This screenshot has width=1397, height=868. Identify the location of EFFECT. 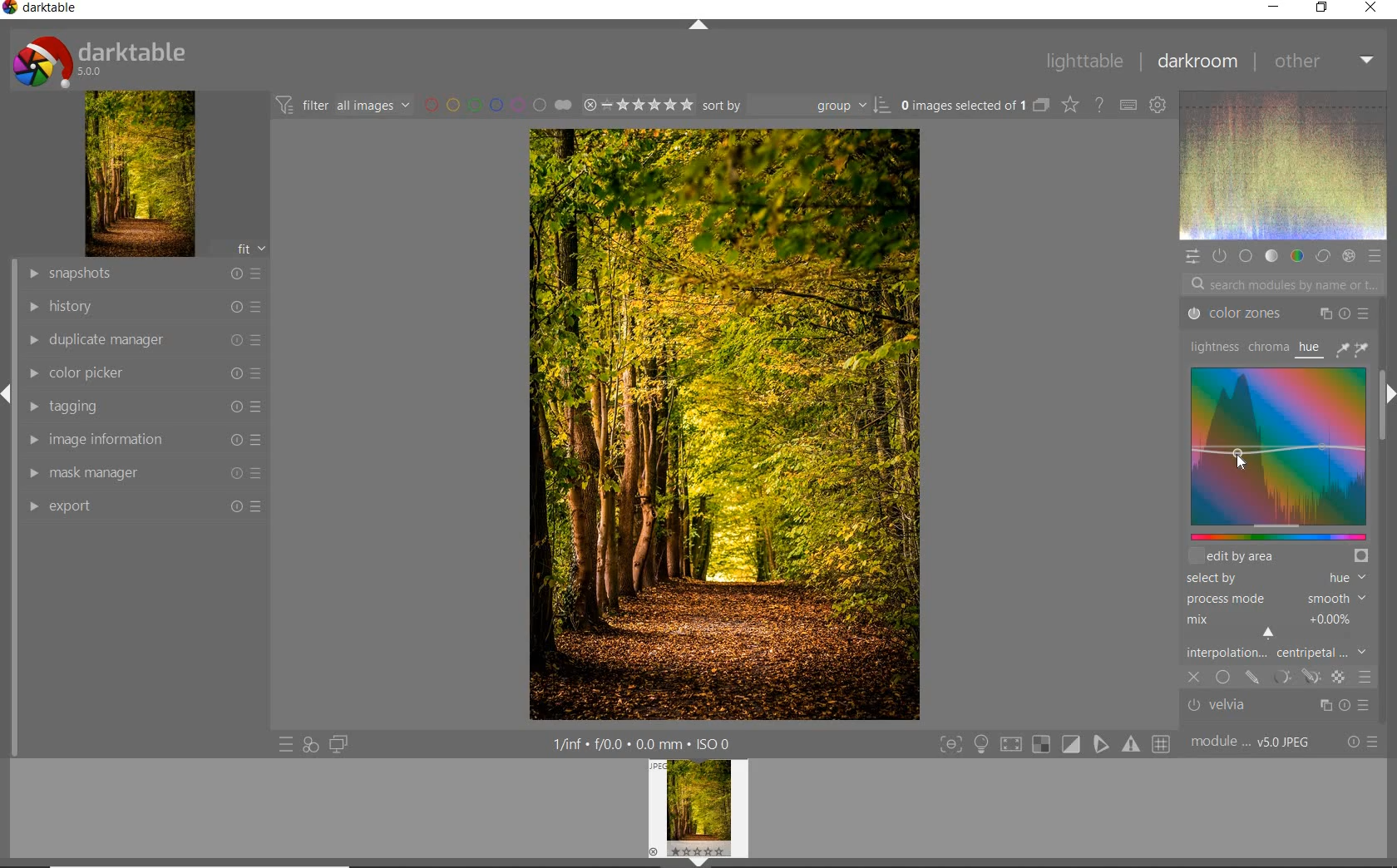
(1348, 255).